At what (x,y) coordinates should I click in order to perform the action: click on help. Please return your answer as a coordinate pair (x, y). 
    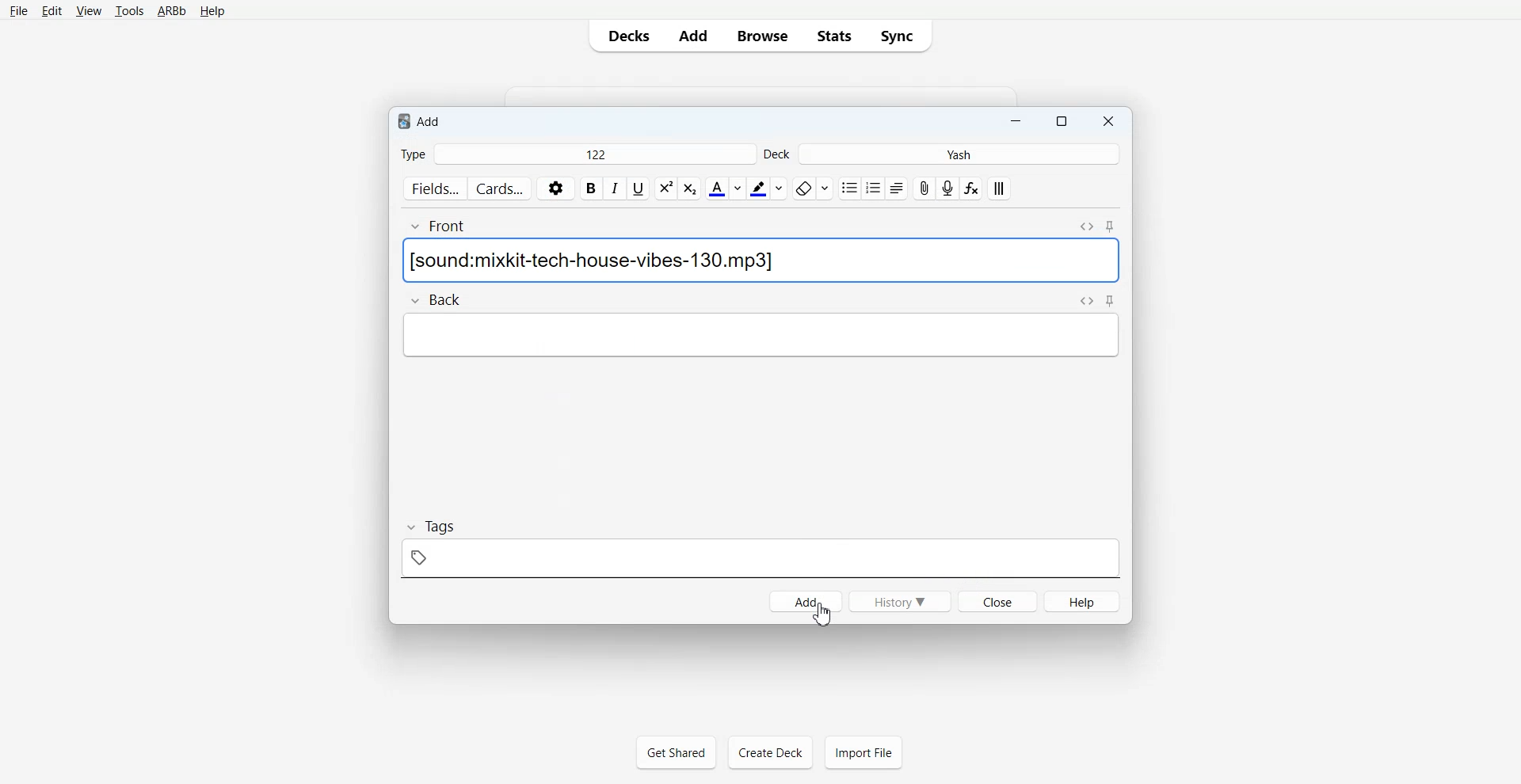
    Looking at the image, I should click on (1088, 600).